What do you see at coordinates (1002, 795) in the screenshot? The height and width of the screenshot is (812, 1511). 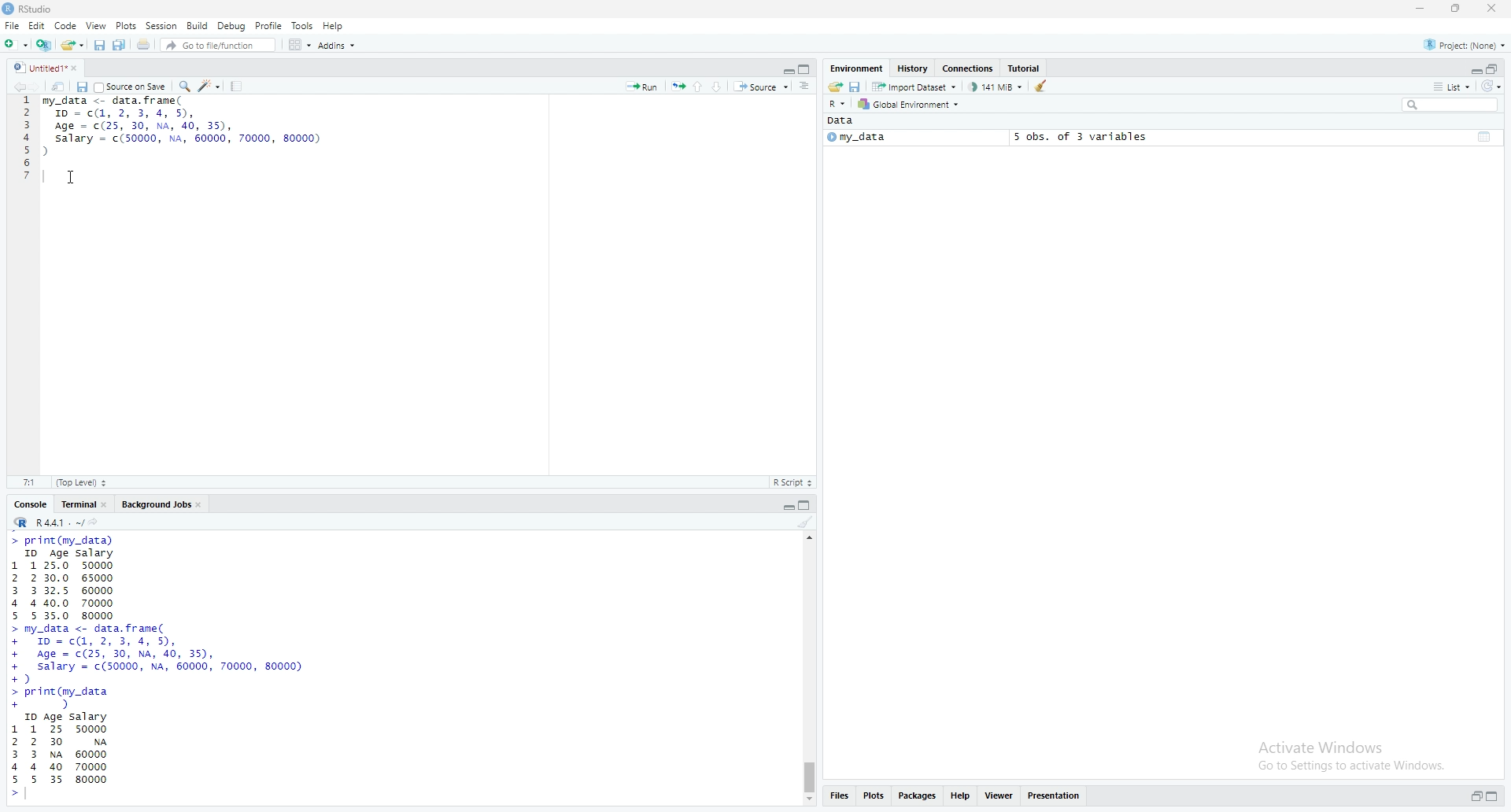 I see `views` at bounding box center [1002, 795].